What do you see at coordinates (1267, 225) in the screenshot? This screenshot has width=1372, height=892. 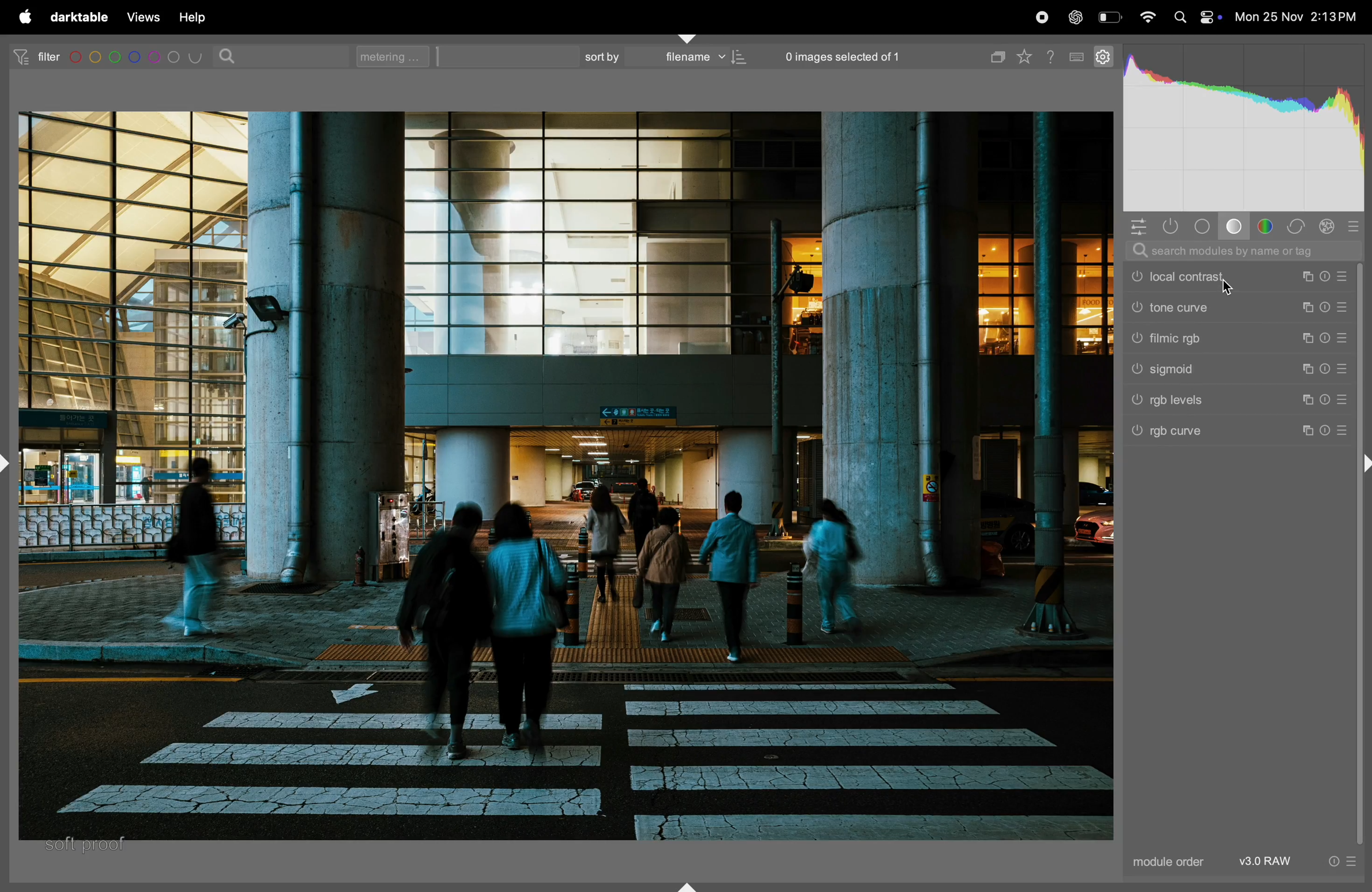 I see `colors` at bounding box center [1267, 225].